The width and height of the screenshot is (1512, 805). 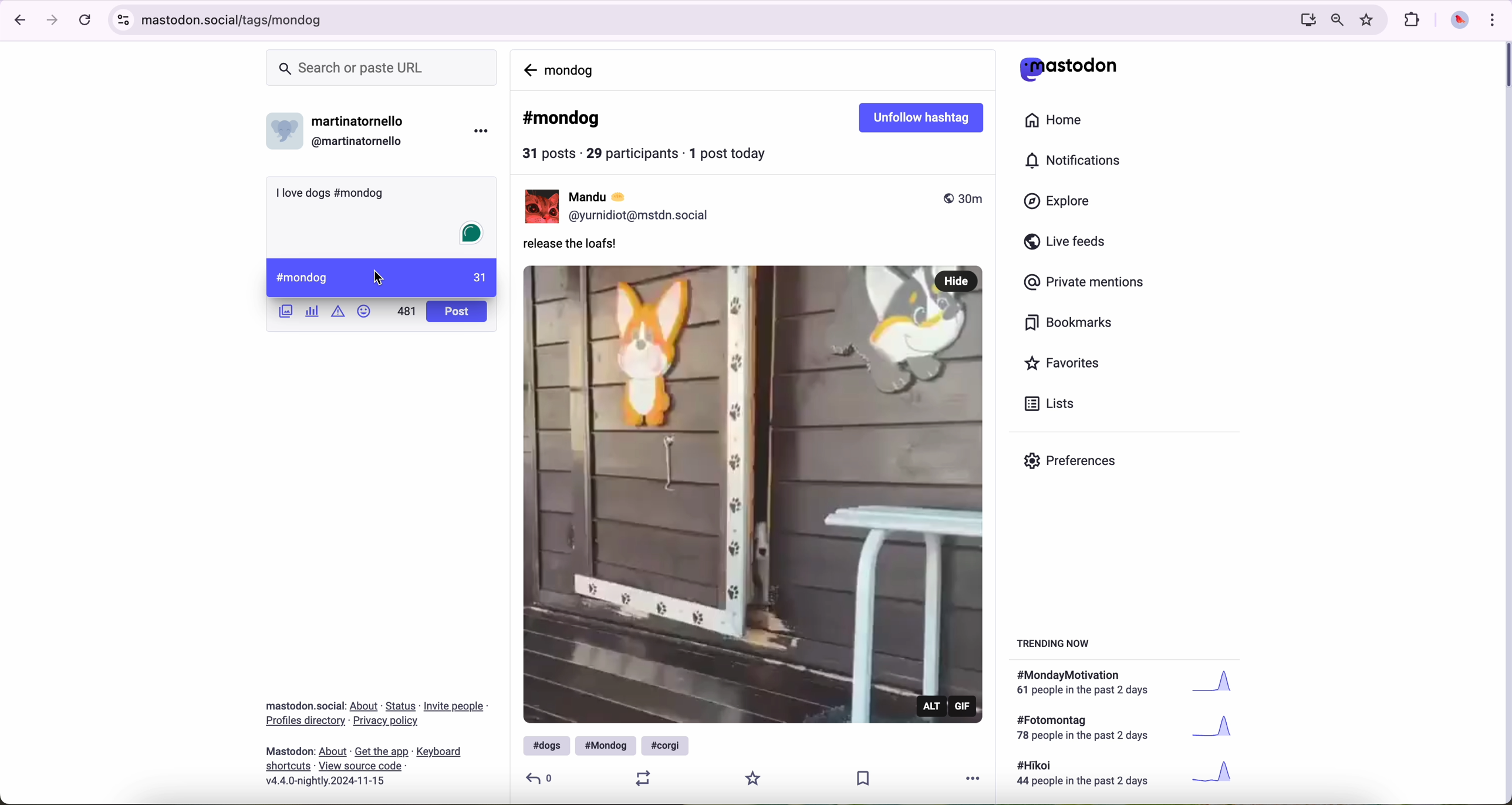 I want to click on reply, so click(x=541, y=777).